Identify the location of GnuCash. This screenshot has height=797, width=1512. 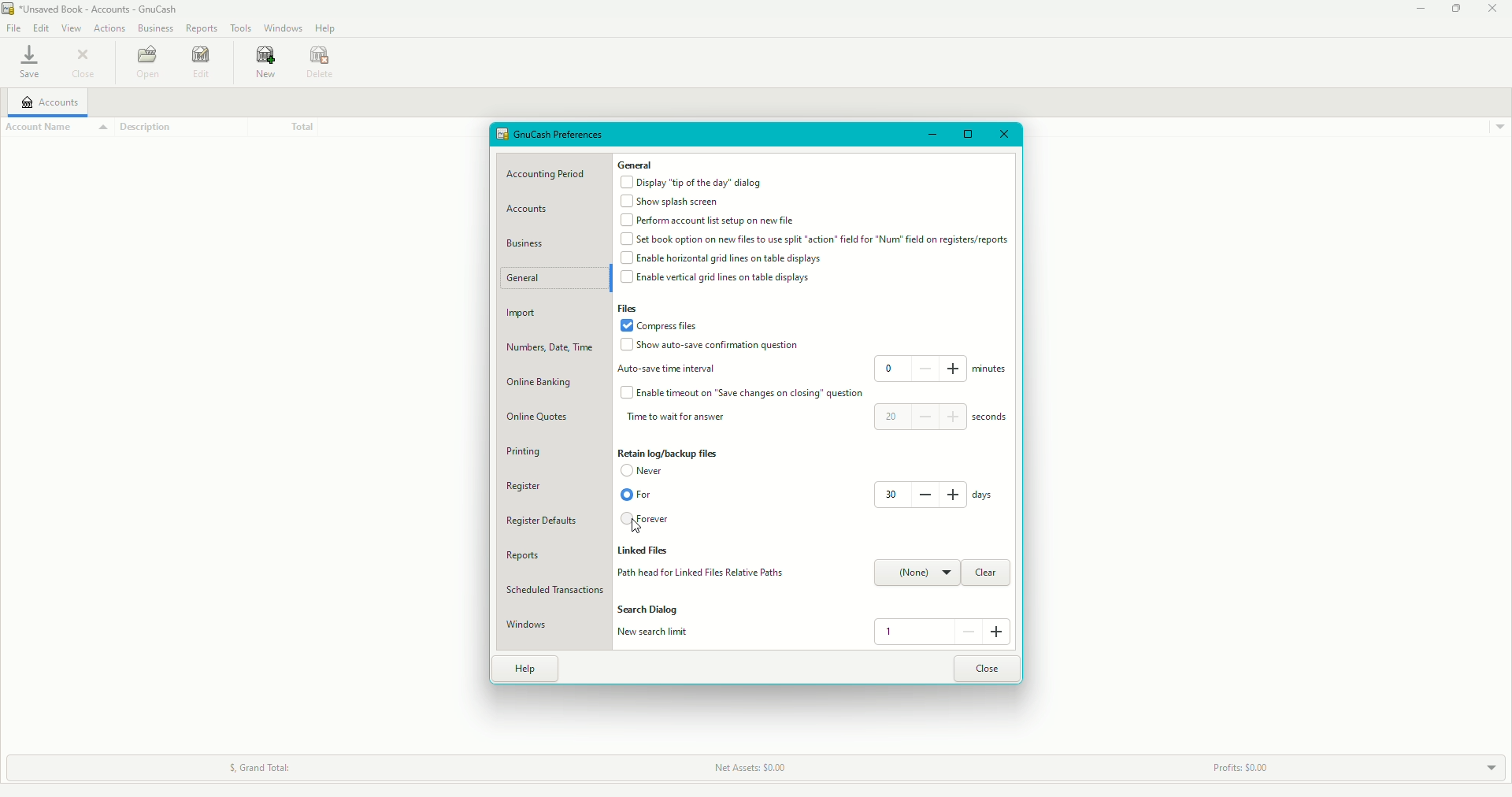
(90, 9).